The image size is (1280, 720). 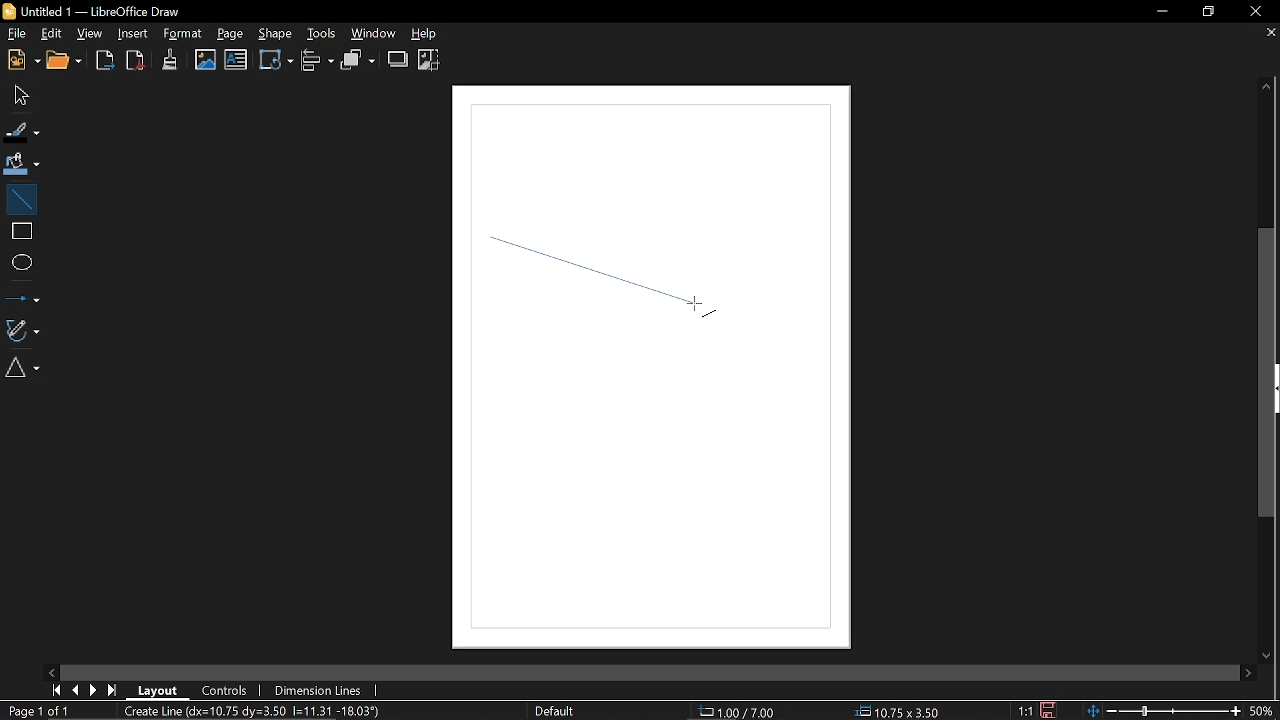 I want to click on Close, so click(x=1256, y=13).